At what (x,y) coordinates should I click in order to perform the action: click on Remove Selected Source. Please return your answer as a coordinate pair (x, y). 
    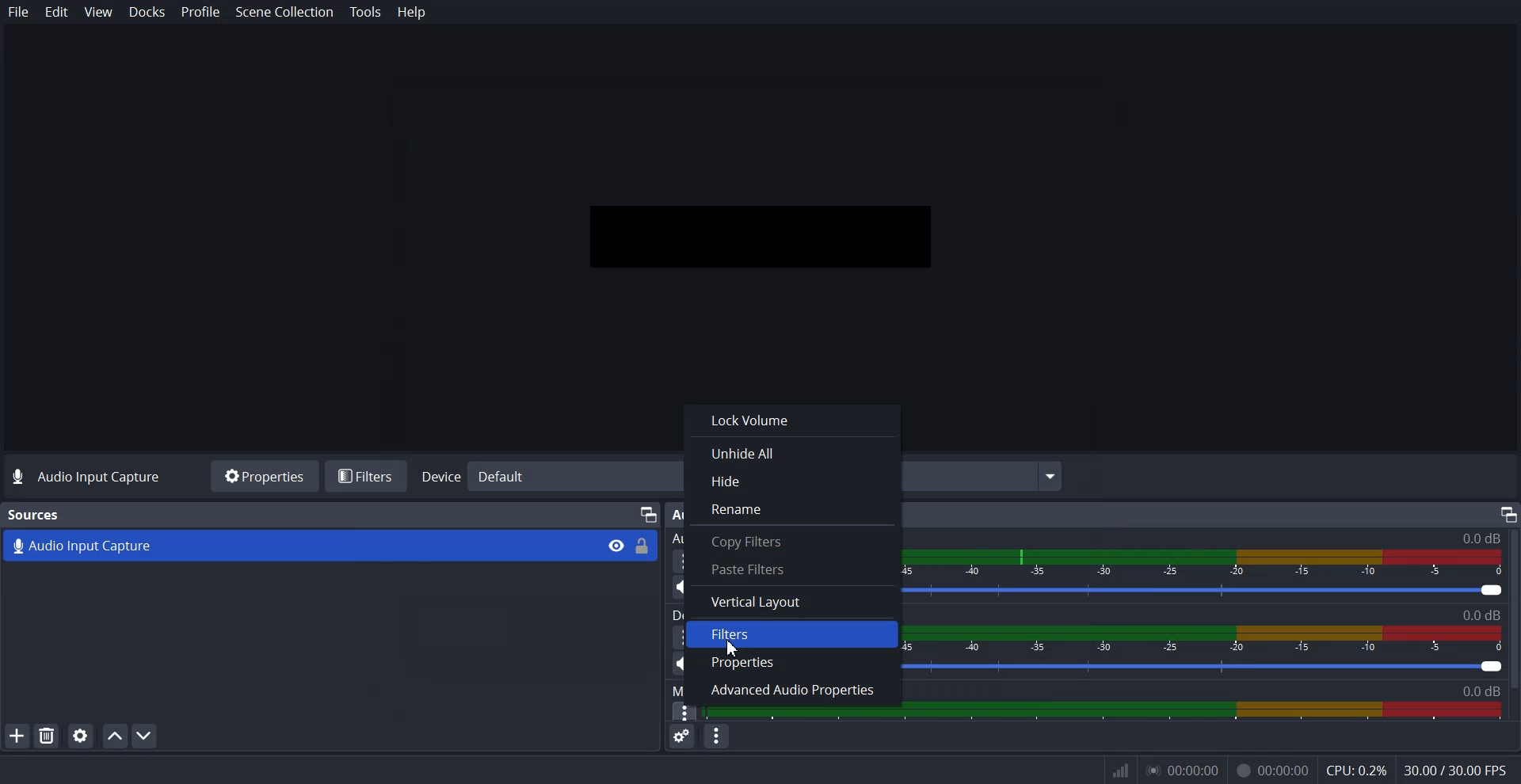
    Looking at the image, I should click on (47, 735).